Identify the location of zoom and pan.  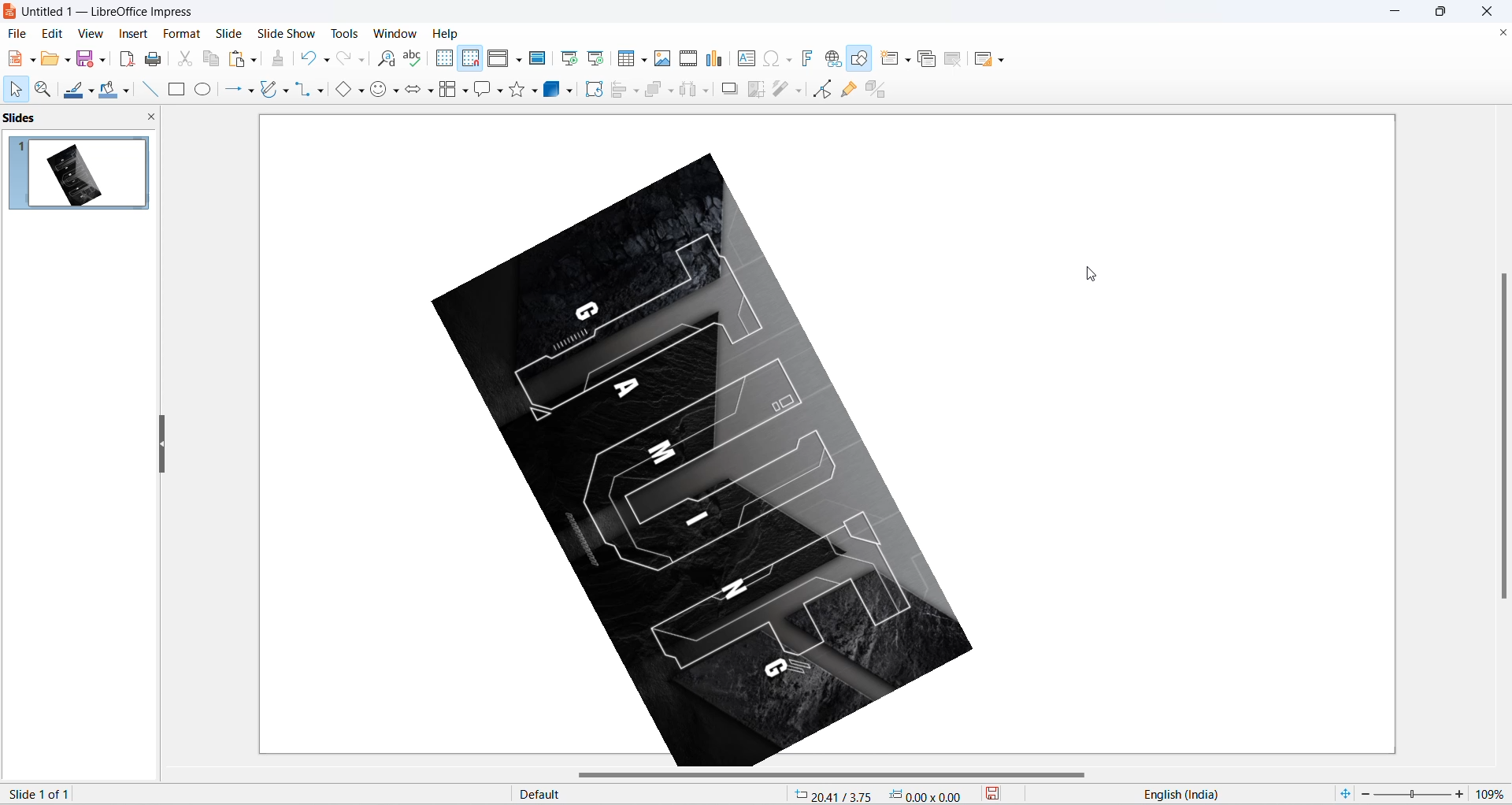
(41, 90).